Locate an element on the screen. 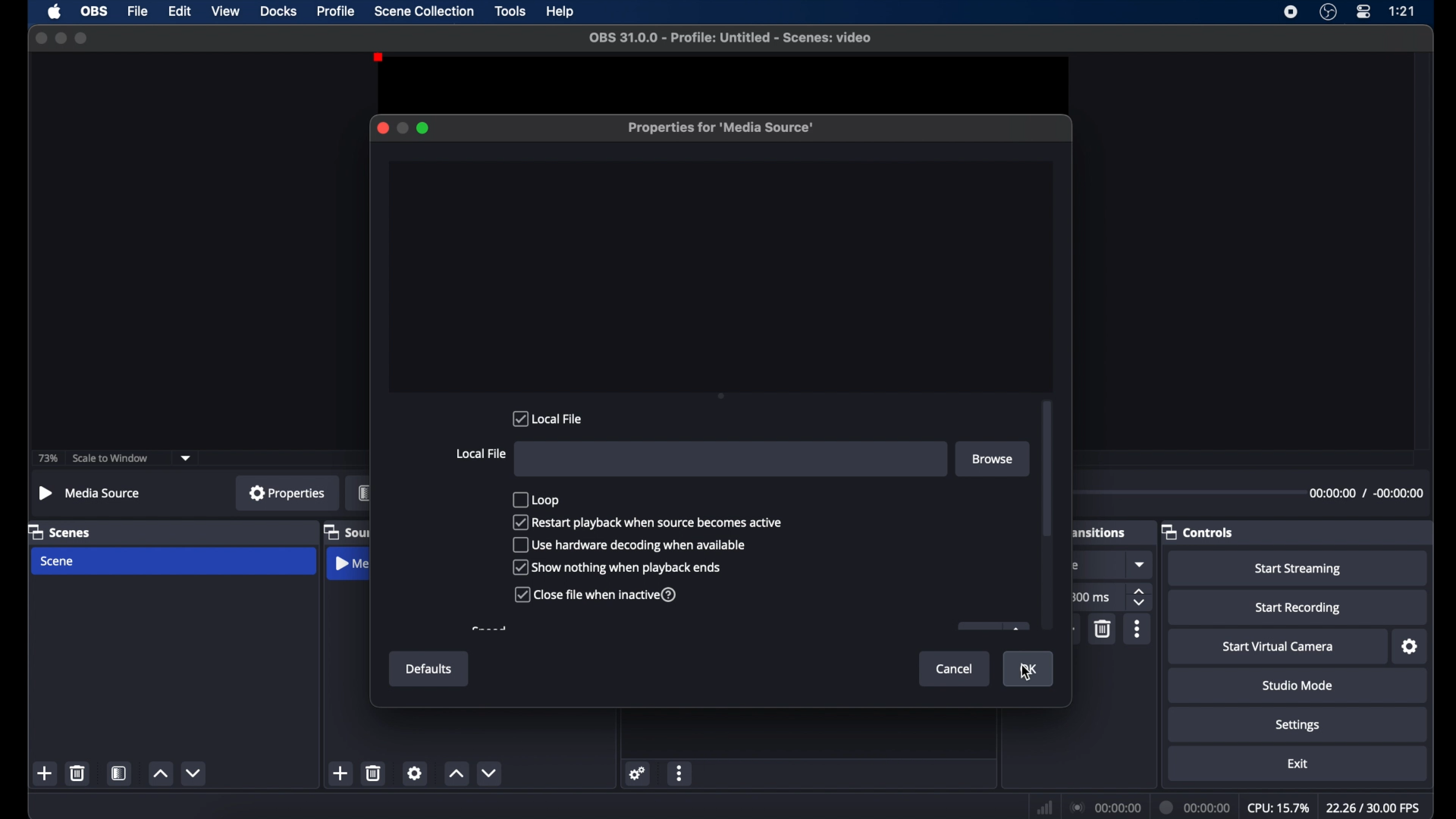  add is located at coordinates (45, 773).